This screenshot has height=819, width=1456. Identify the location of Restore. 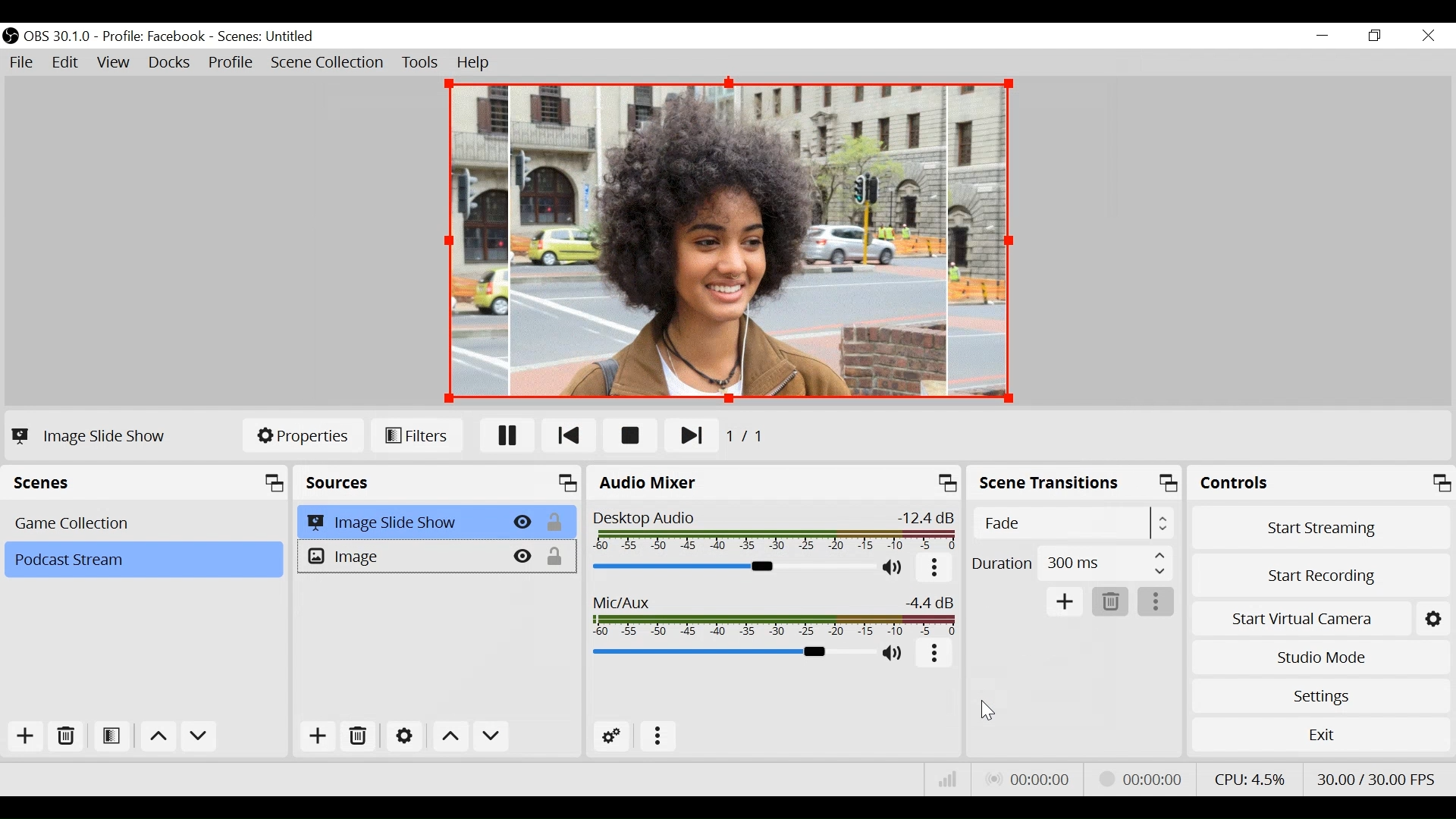
(1376, 36).